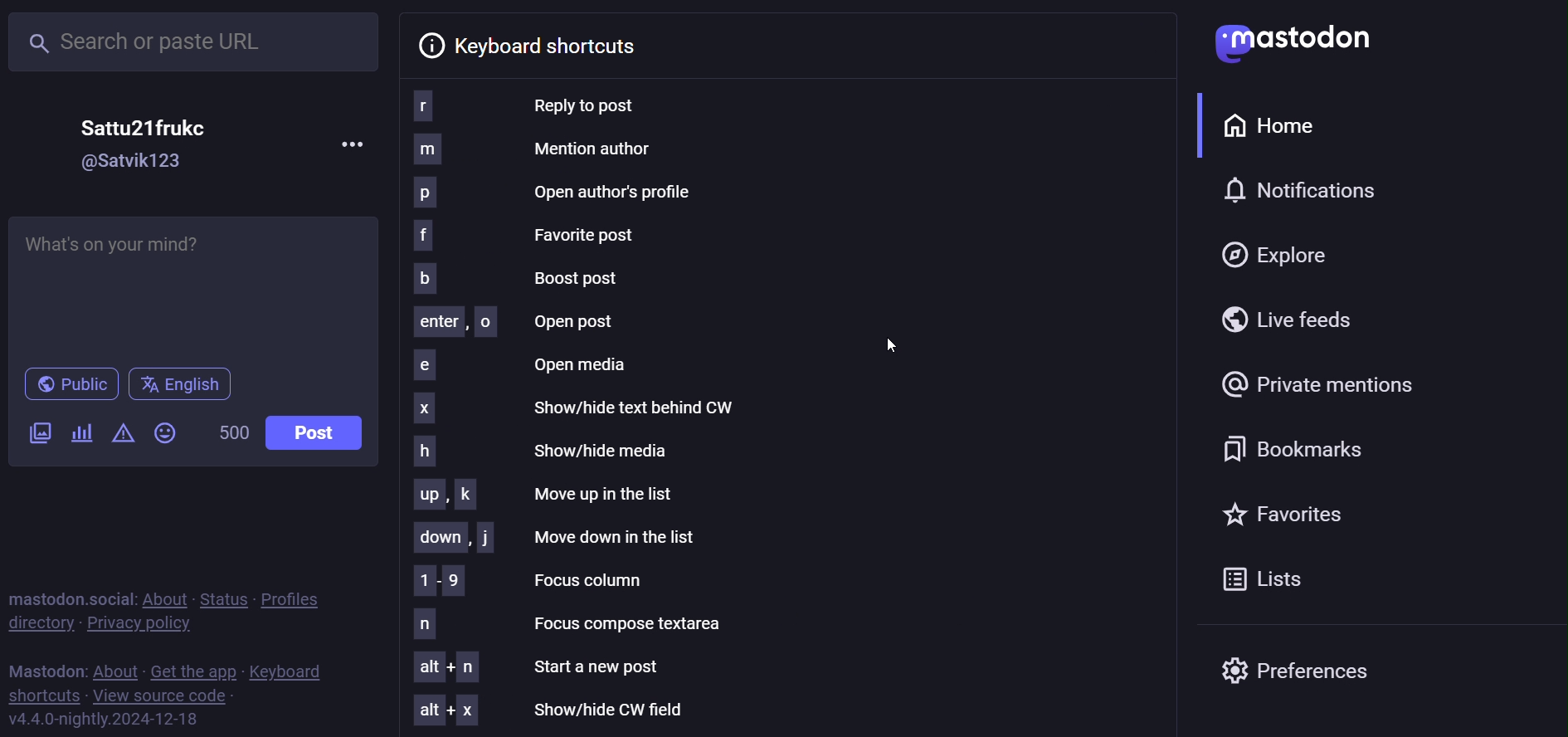 The height and width of the screenshot is (737, 1568). What do you see at coordinates (531, 366) in the screenshot?
I see `open media` at bounding box center [531, 366].